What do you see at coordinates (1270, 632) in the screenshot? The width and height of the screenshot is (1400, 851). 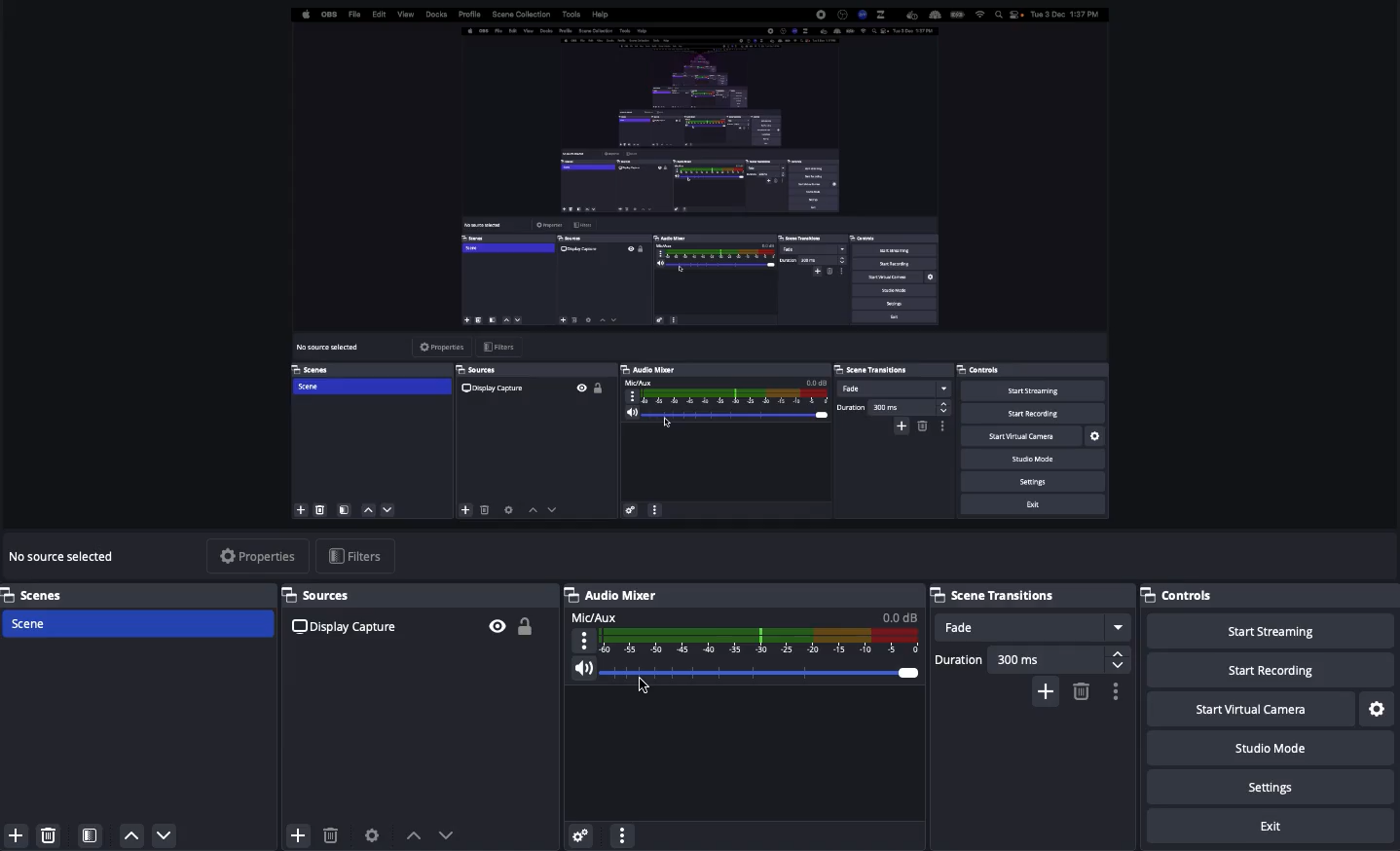 I see `Start streaming` at bounding box center [1270, 632].